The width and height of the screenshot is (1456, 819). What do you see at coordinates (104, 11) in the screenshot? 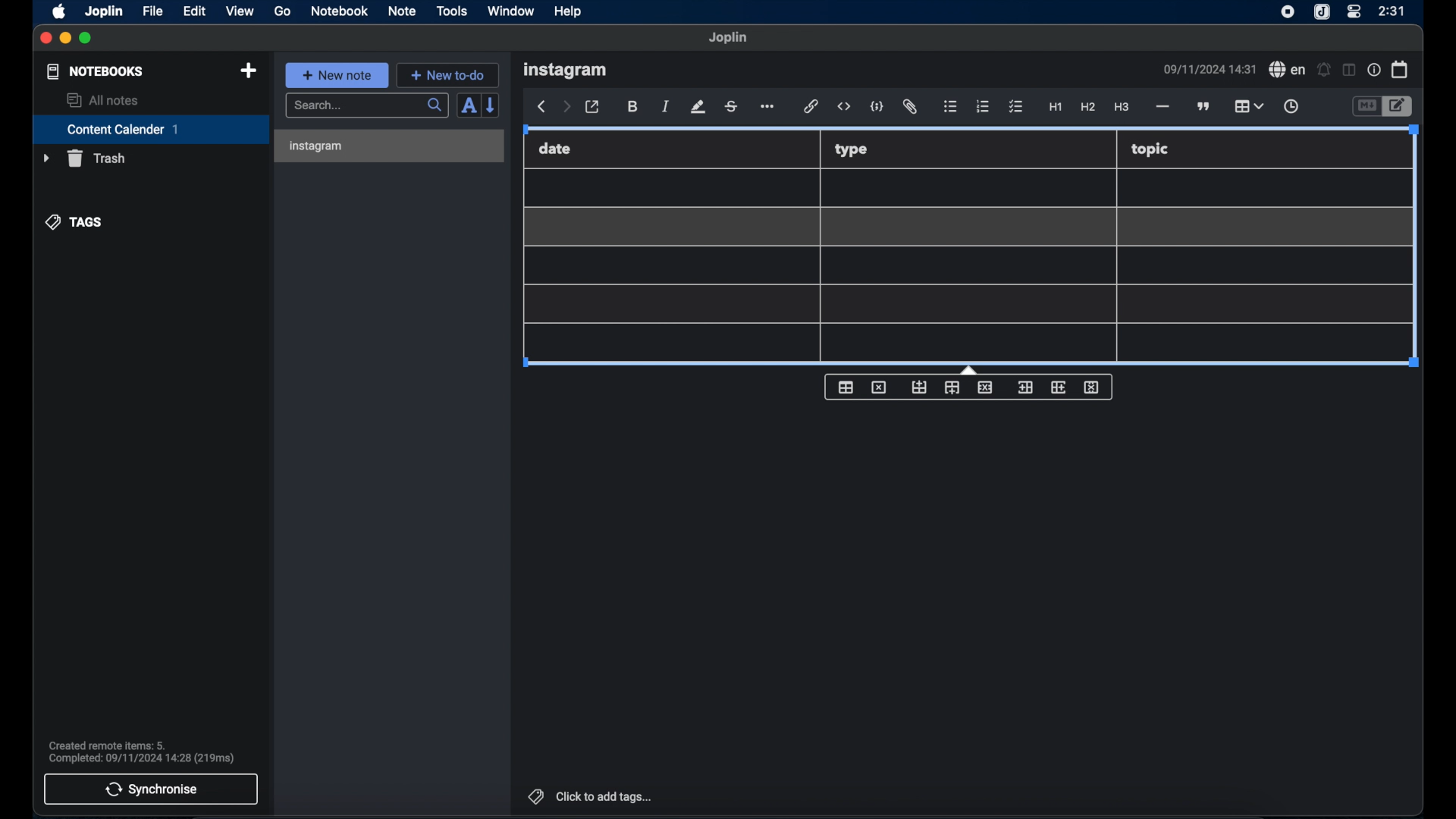
I see `joplin` at bounding box center [104, 11].